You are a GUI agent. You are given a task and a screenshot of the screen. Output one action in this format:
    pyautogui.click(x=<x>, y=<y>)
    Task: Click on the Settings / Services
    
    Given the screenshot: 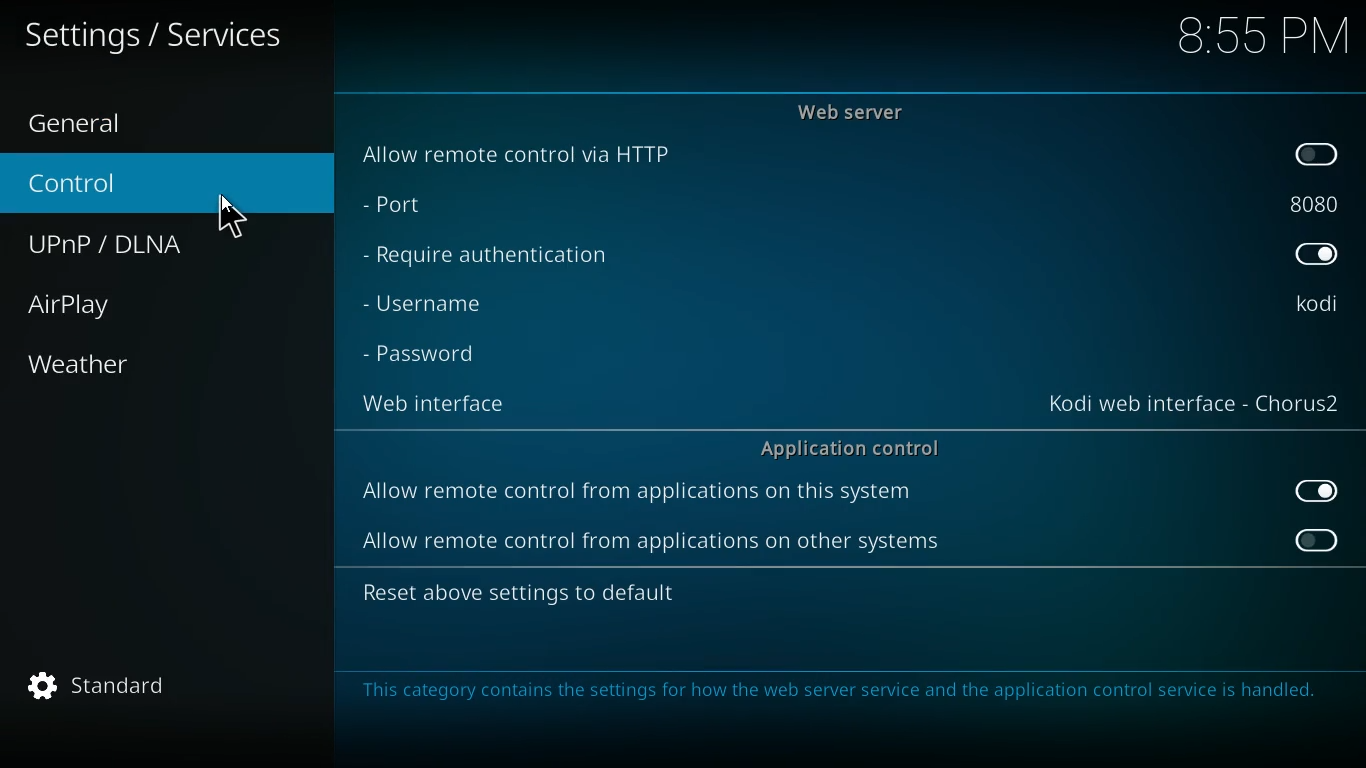 What is the action you would take?
    pyautogui.click(x=157, y=36)
    